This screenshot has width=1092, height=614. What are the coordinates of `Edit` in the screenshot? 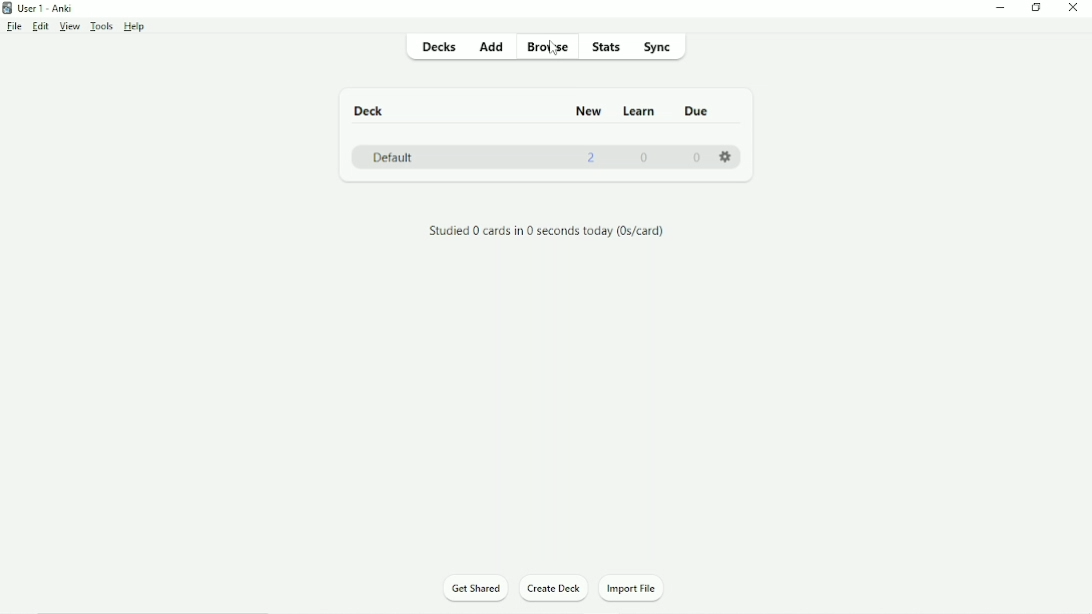 It's located at (38, 27).